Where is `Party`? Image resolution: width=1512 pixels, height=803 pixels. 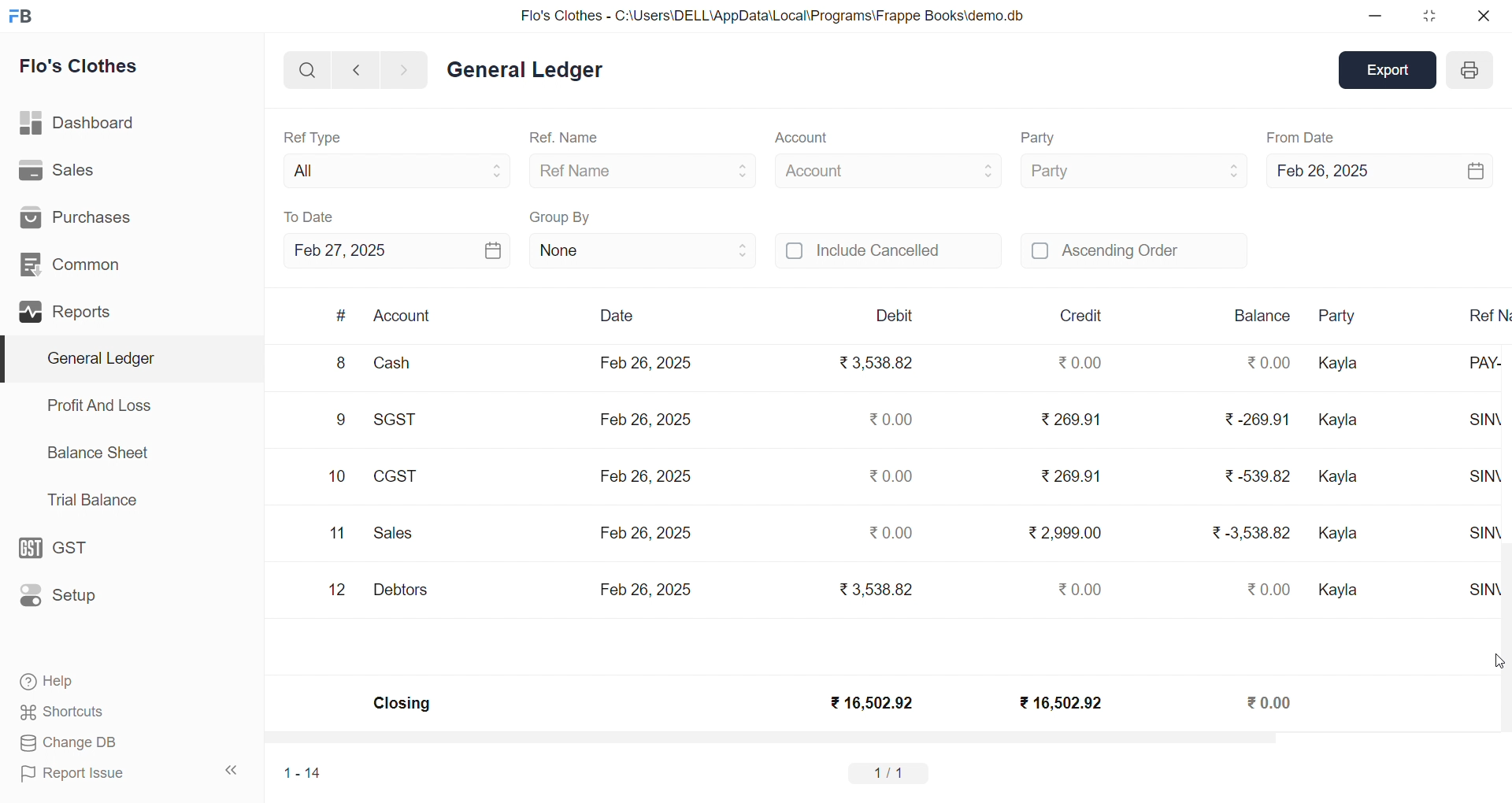 Party is located at coordinates (1132, 169).